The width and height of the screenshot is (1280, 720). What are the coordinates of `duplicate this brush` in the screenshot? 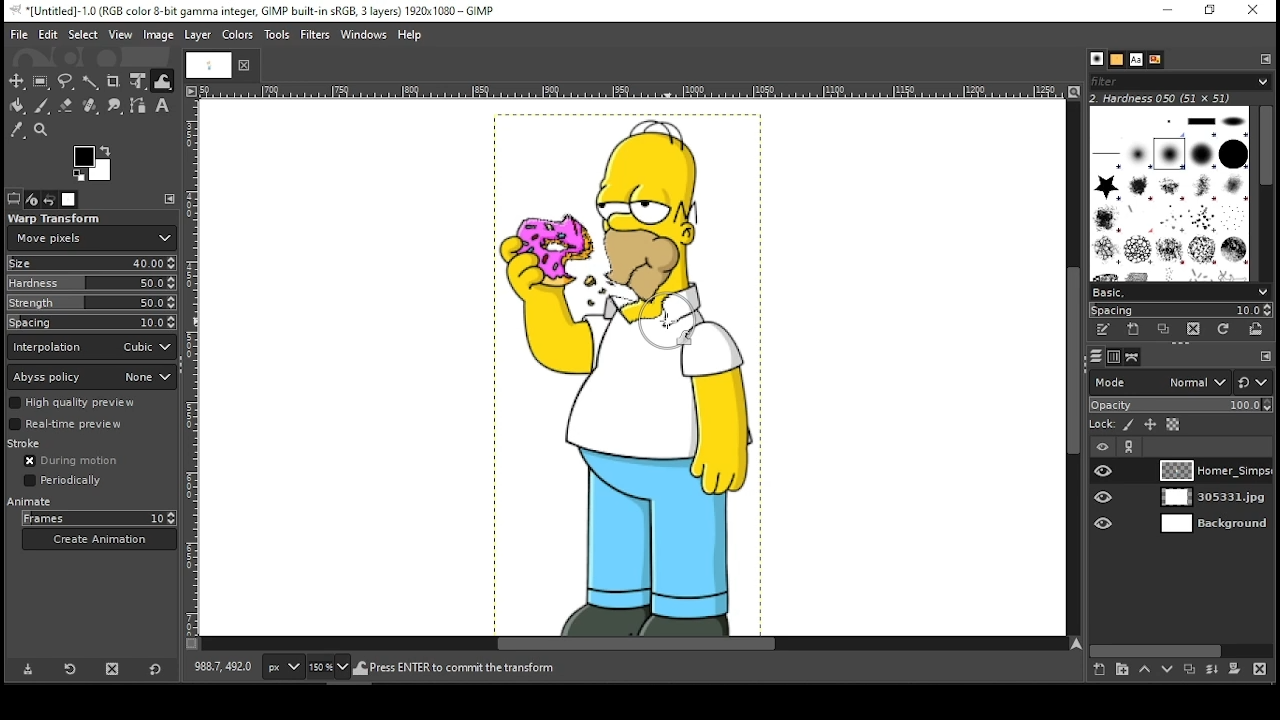 It's located at (1164, 330).